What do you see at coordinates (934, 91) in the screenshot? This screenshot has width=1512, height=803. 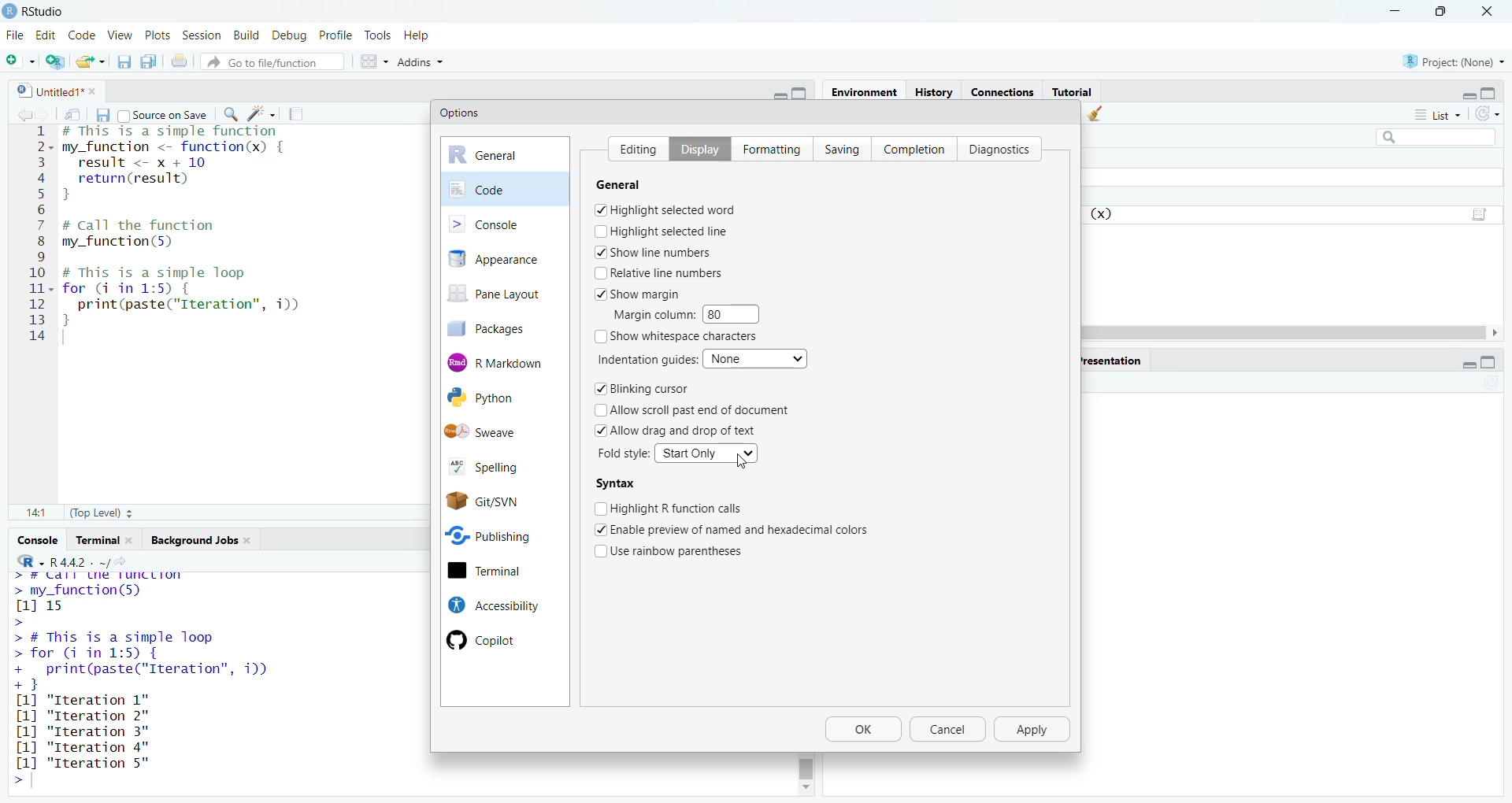 I see `History` at bounding box center [934, 91].